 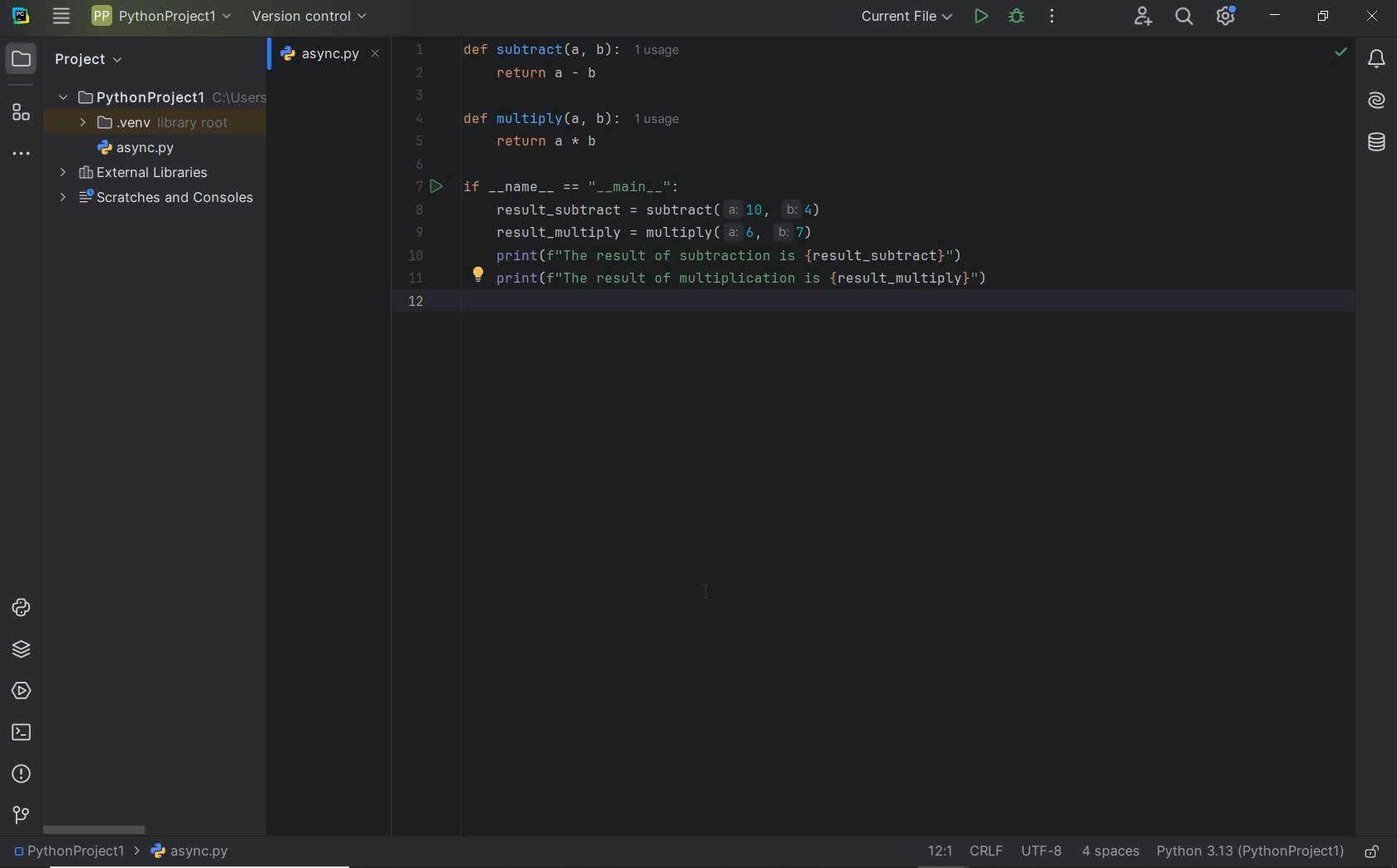 What do you see at coordinates (72, 58) in the screenshot?
I see `Project` at bounding box center [72, 58].